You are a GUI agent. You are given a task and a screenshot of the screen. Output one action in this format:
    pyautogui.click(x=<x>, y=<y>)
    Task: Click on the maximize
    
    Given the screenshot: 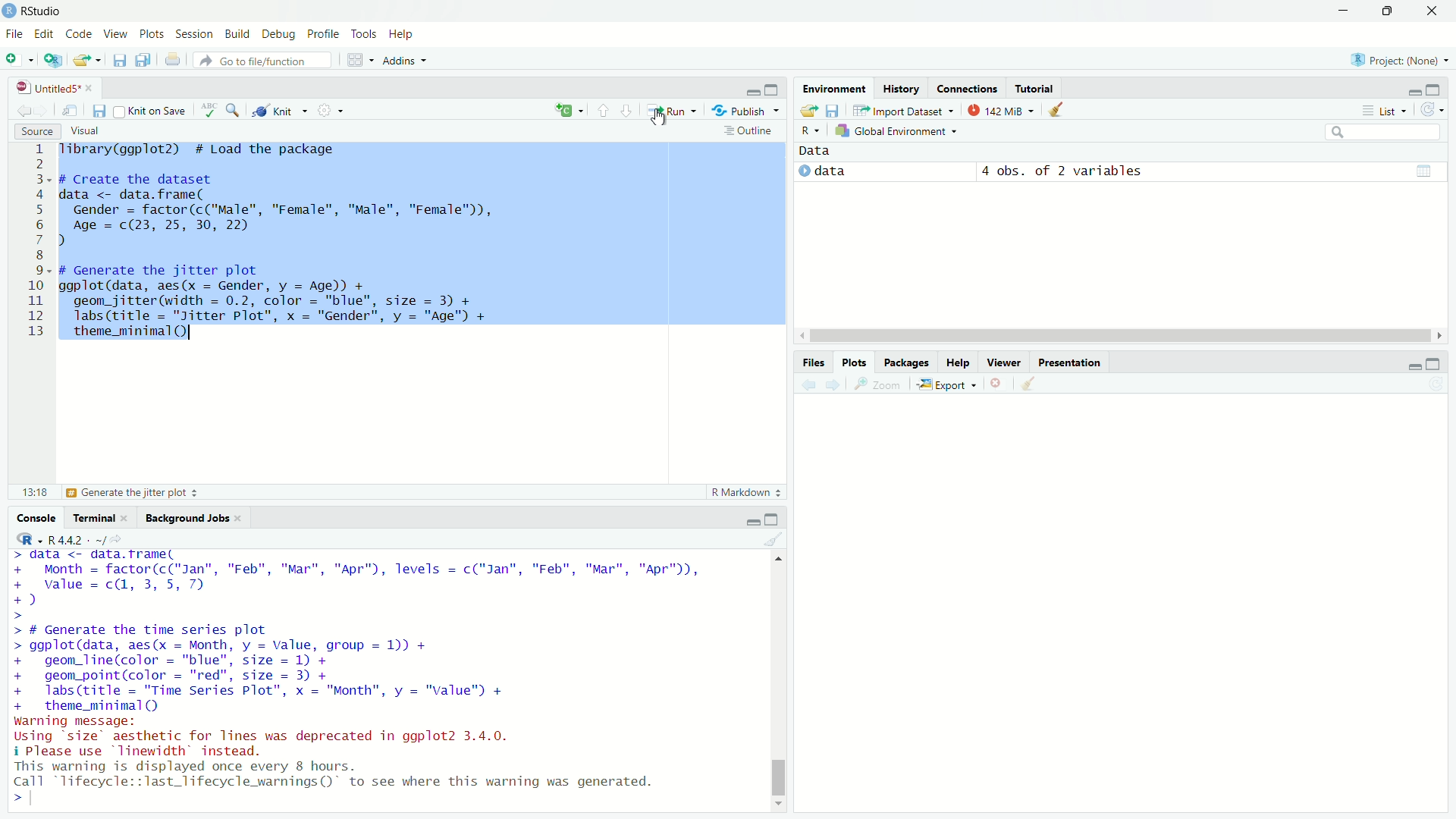 What is the action you would take?
    pyautogui.click(x=1442, y=89)
    